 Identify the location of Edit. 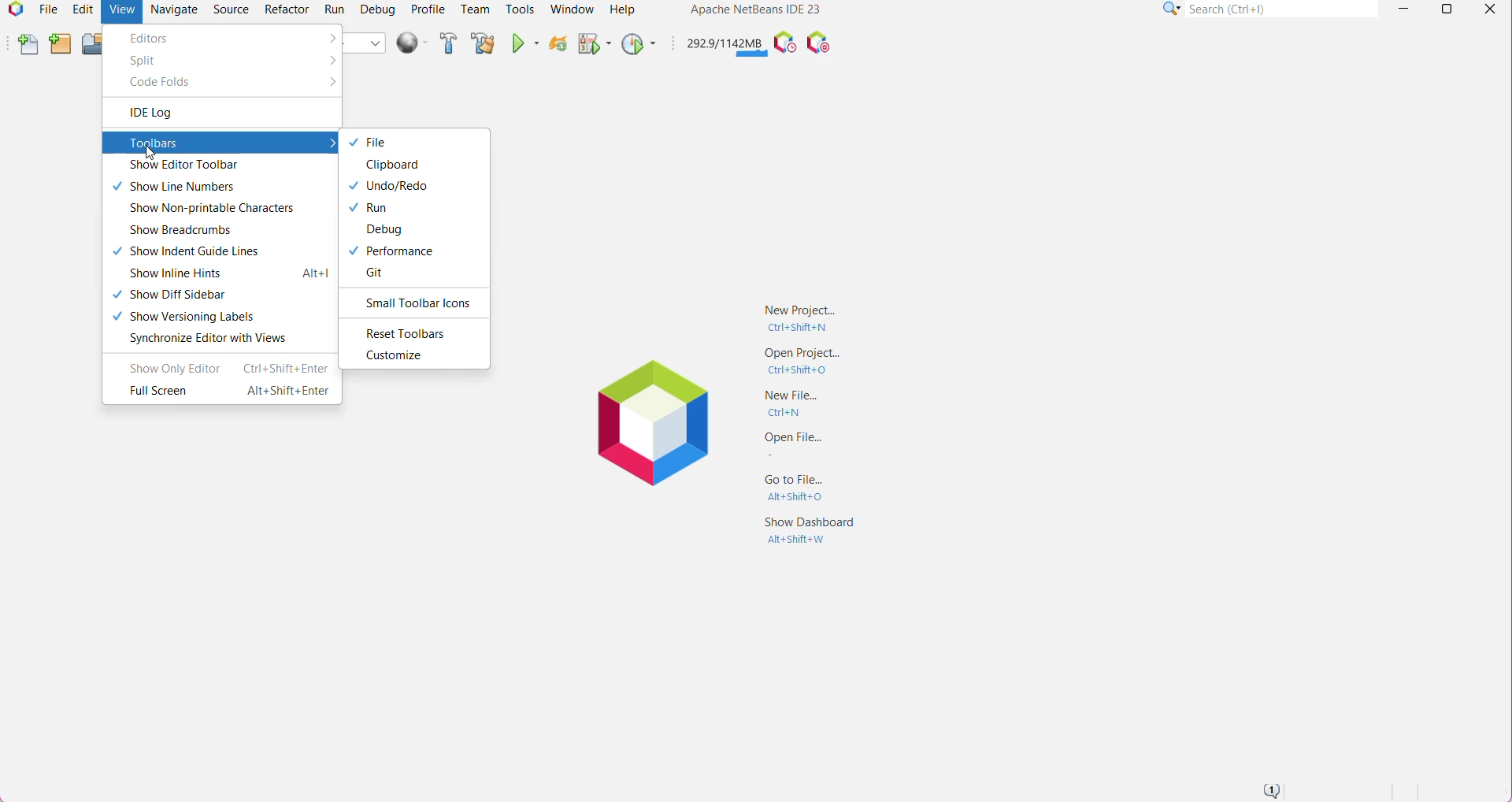
(81, 9).